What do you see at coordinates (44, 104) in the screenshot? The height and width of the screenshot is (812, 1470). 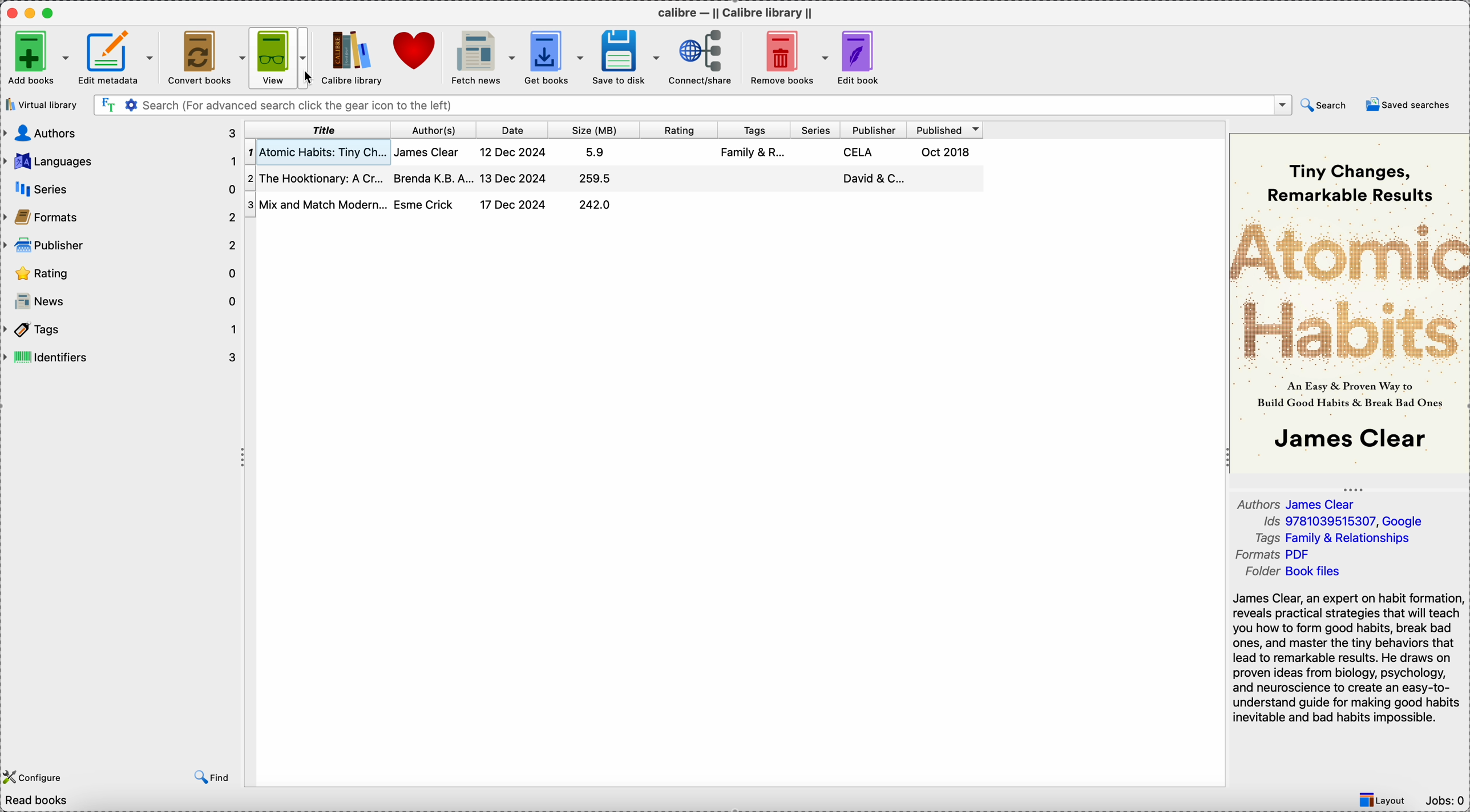 I see `virtual library` at bounding box center [44, 104].